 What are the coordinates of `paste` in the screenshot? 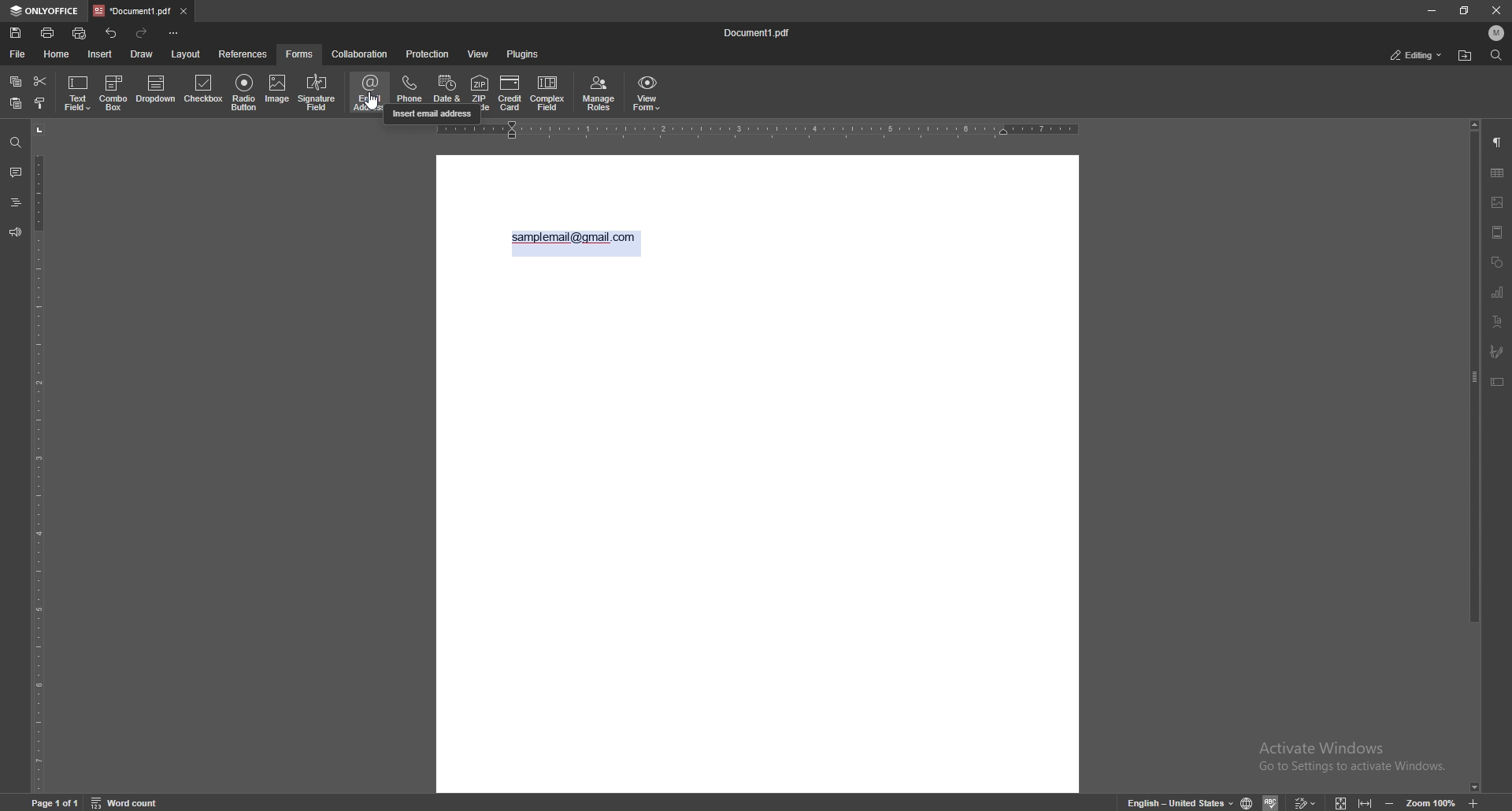 It's located at (15, 103).